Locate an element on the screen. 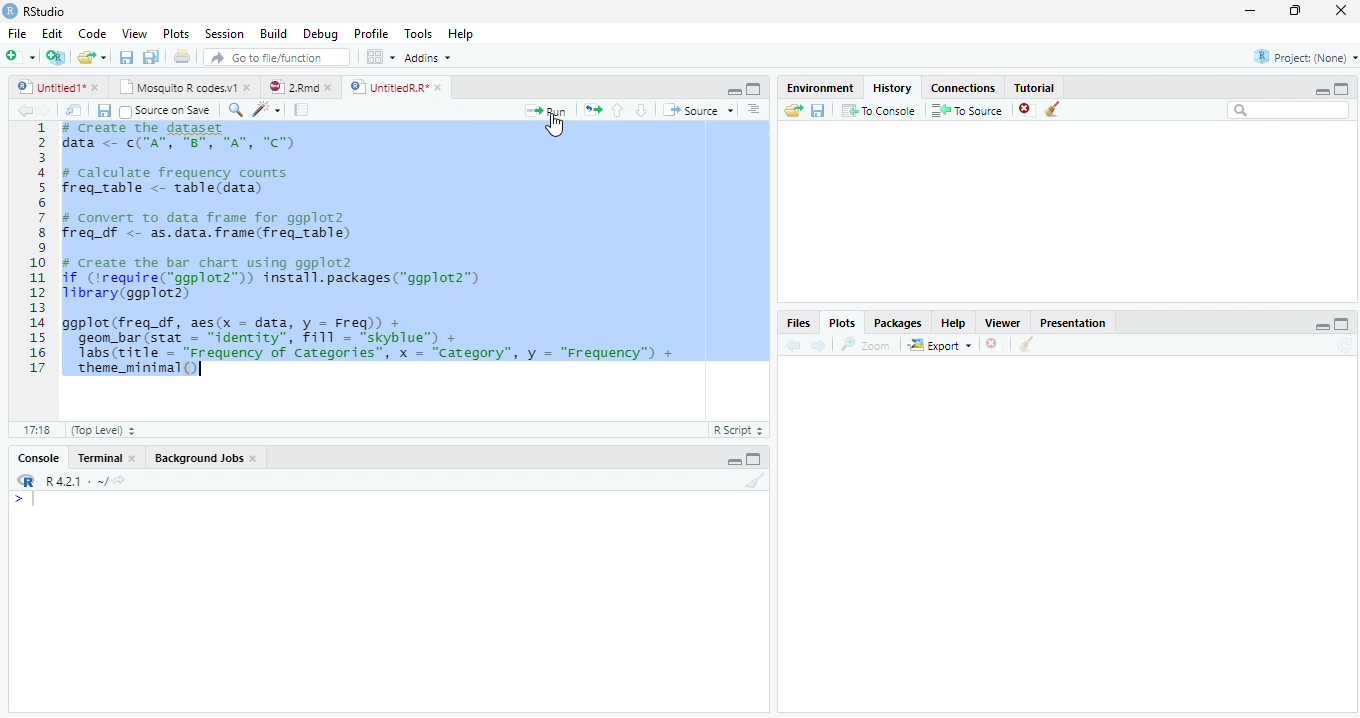 This screenshot has height=718, width=1360. Next is located at coordinates (820, 344).